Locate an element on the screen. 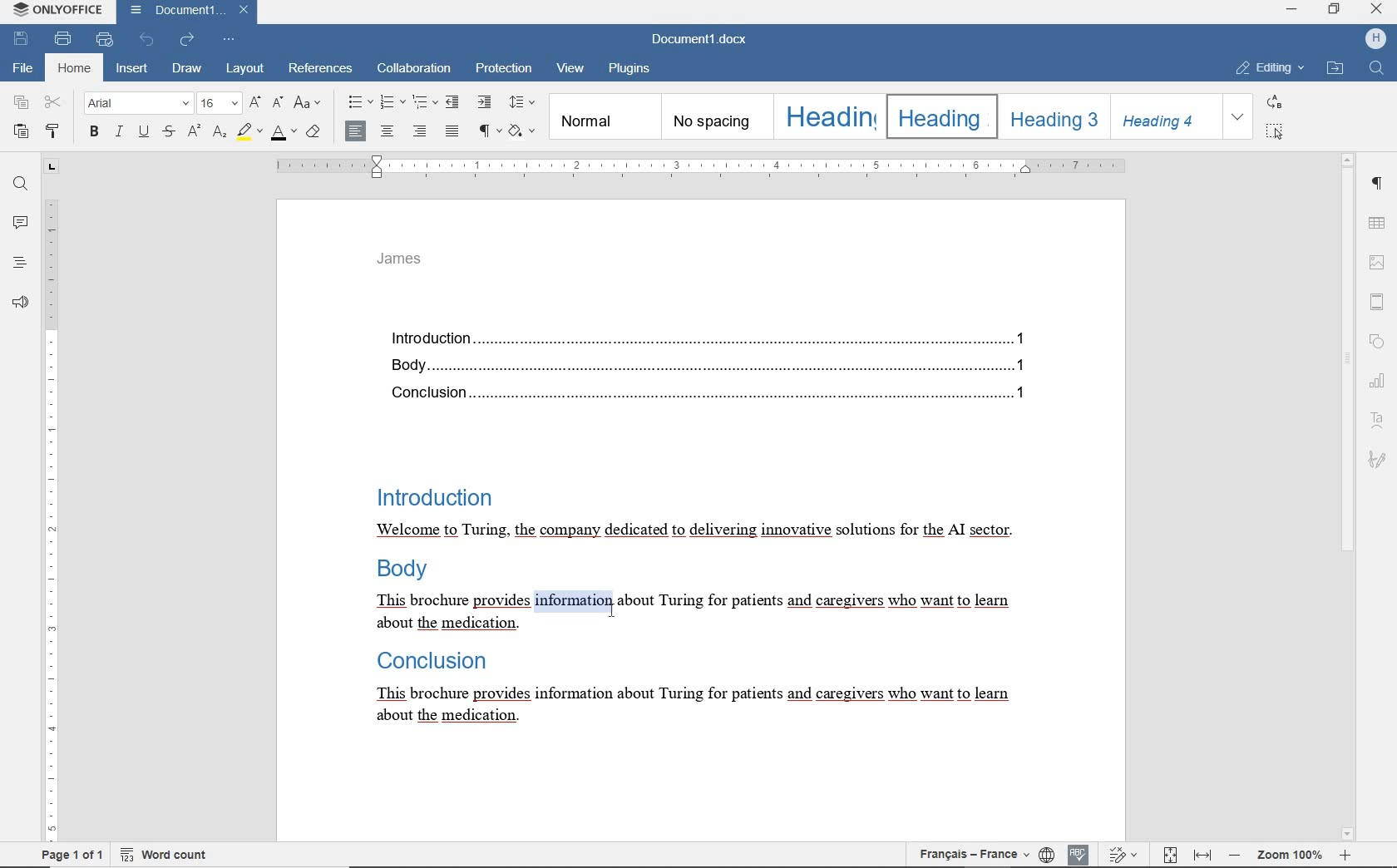 The image size is (1397, 868). NONOPRINTING CHARACTERS is located at coordinates (491, 132).